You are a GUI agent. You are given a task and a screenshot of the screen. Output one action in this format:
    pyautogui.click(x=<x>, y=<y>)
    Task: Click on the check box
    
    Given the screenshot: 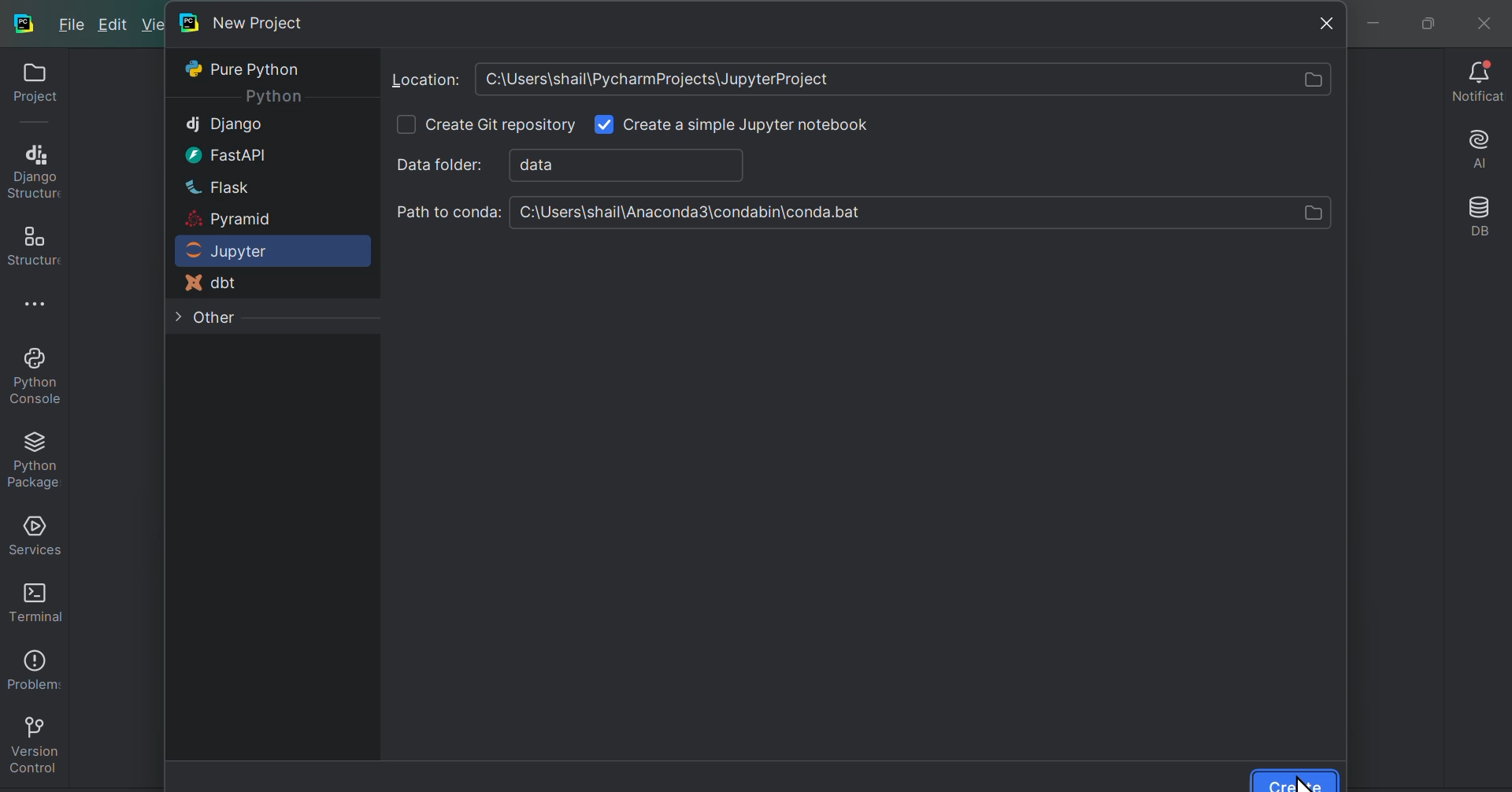 What is the action you would take?
    pyautogui.click(x=603, y=124)
    